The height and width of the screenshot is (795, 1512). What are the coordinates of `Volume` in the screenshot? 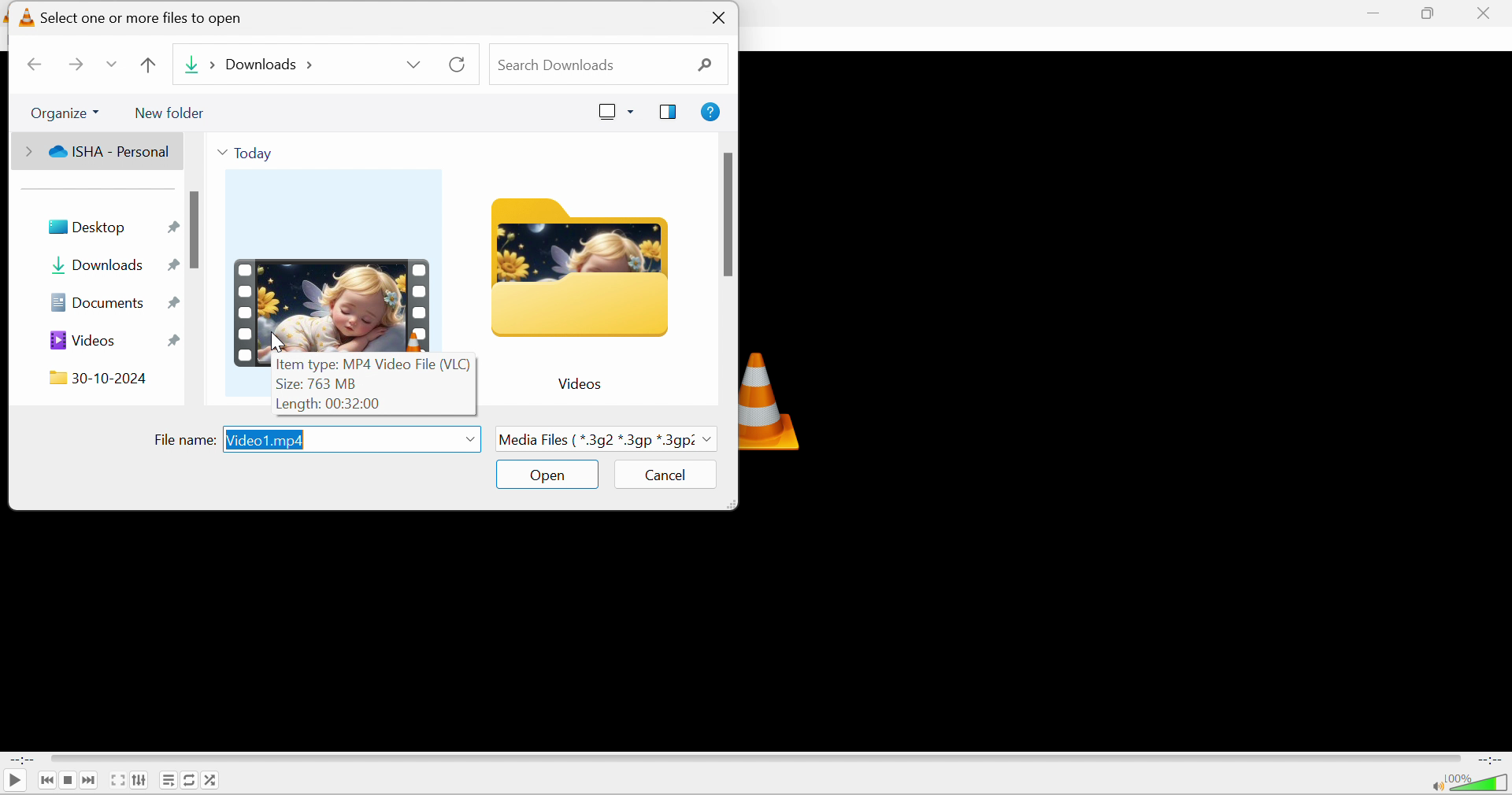 It's located at (1480, 783).